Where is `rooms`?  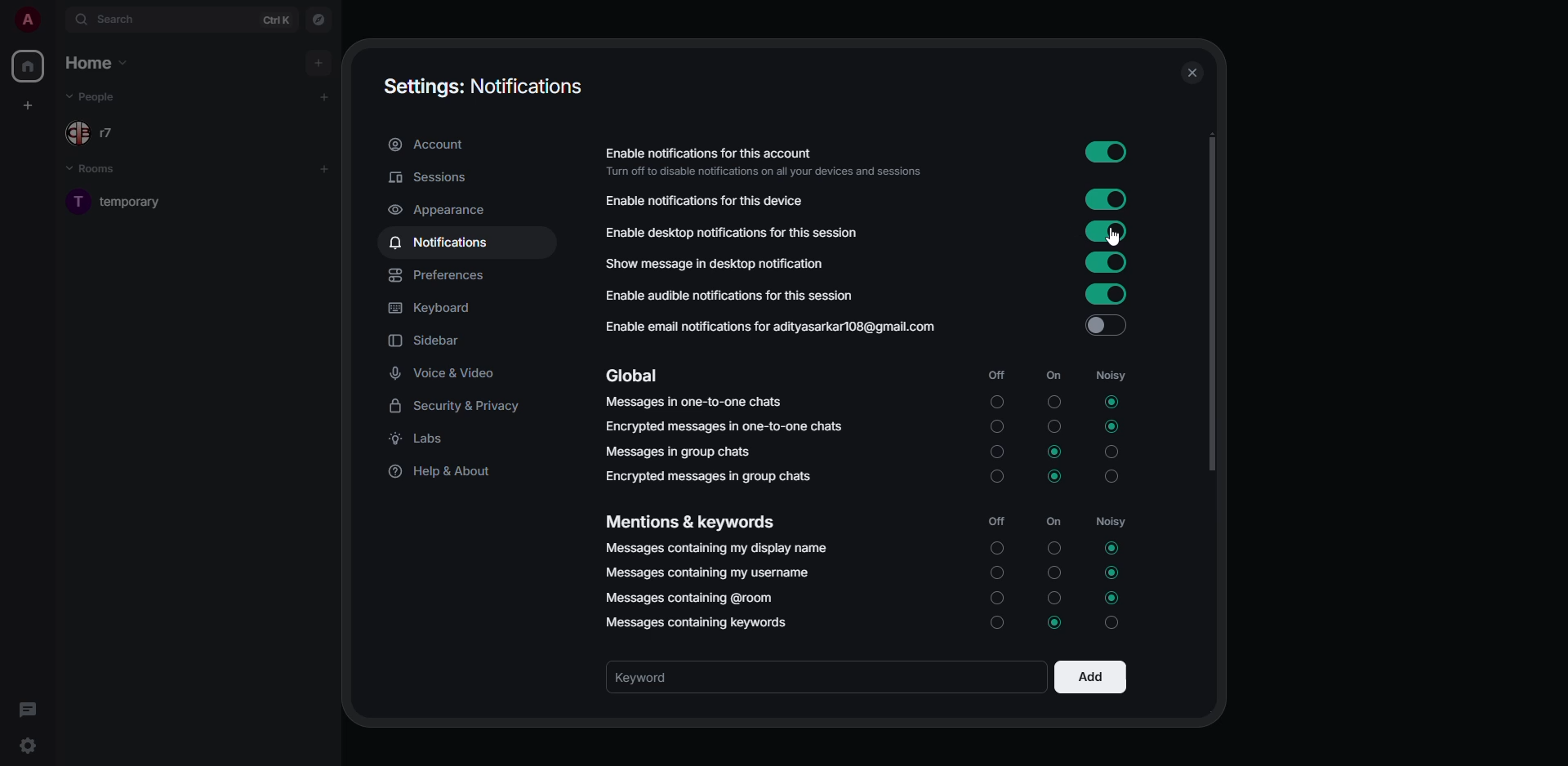 rooms is located at coordinates (103, 171).